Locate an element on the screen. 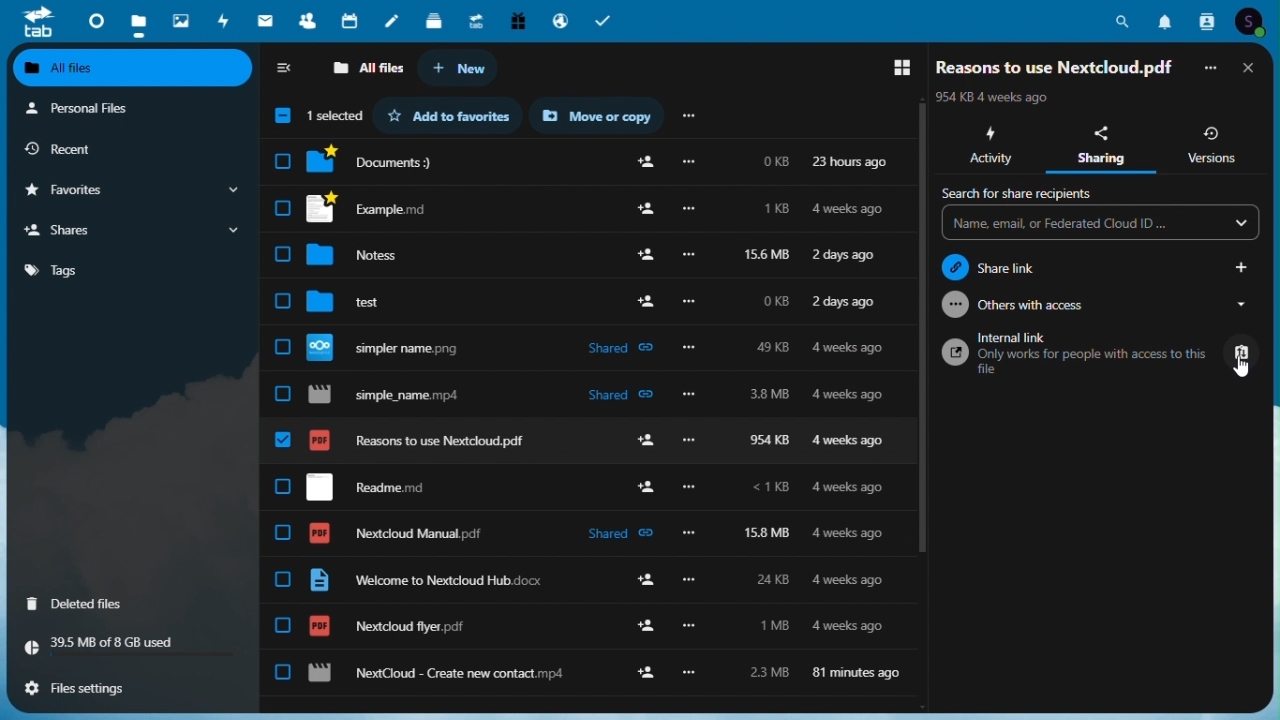 The height and width of the screenshot is (720, 1280). Search for share recipients is located at coordinates (1102, 212).